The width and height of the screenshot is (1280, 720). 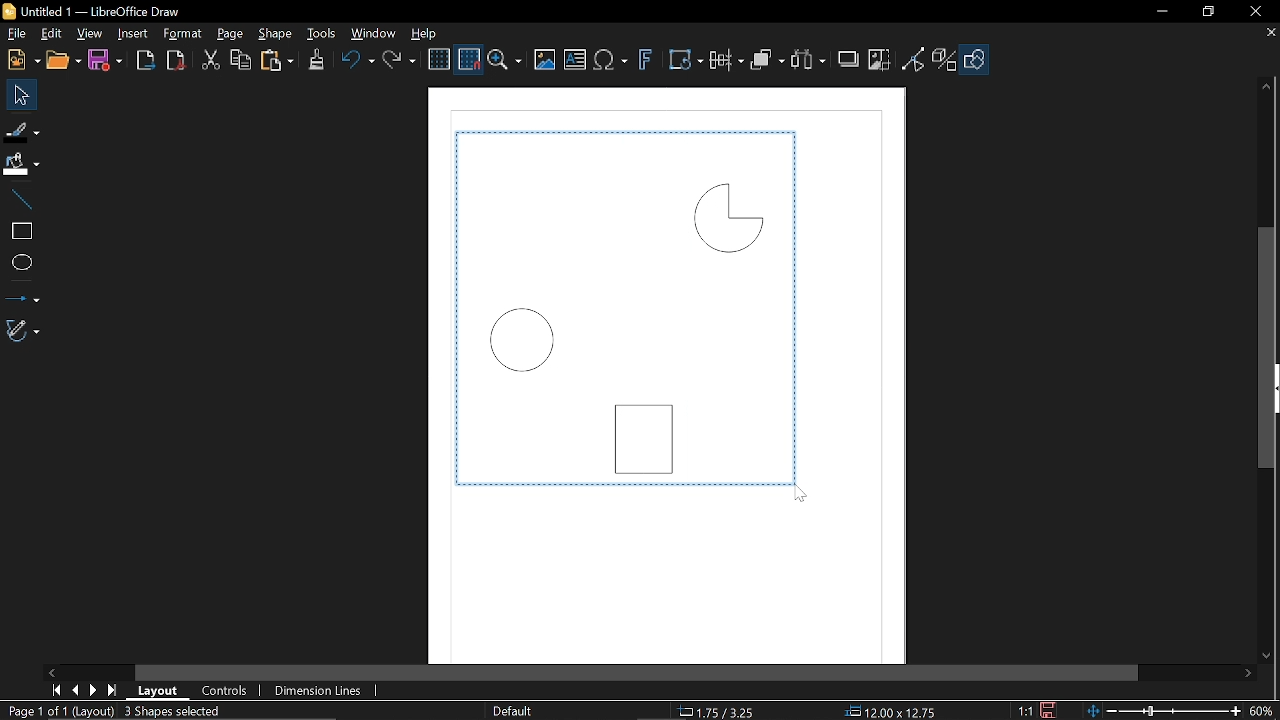 I want to click on Line around selected objects, so click(x=800, y=304).